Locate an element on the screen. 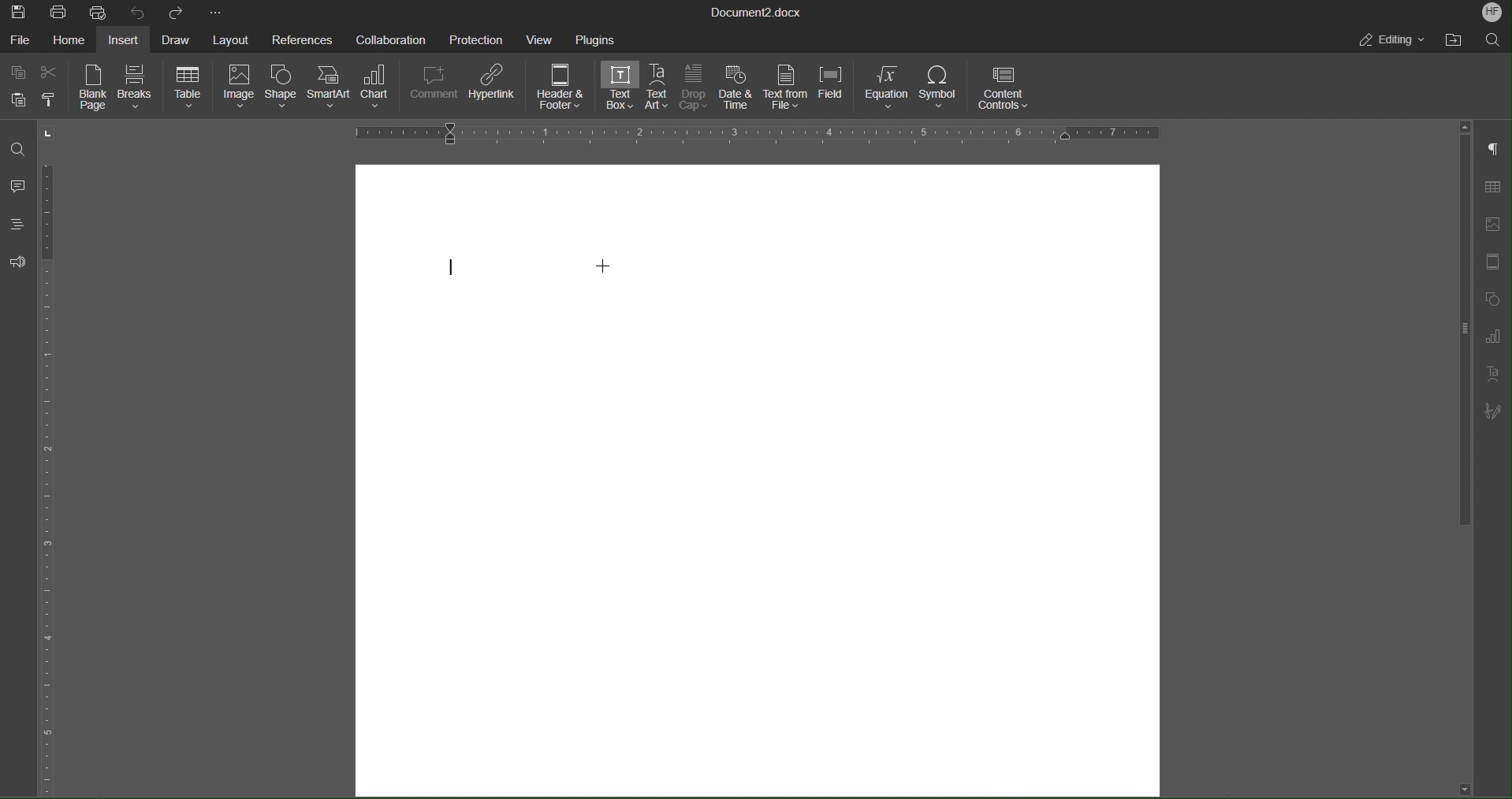  Breaks is located at coordinates (138, 88).